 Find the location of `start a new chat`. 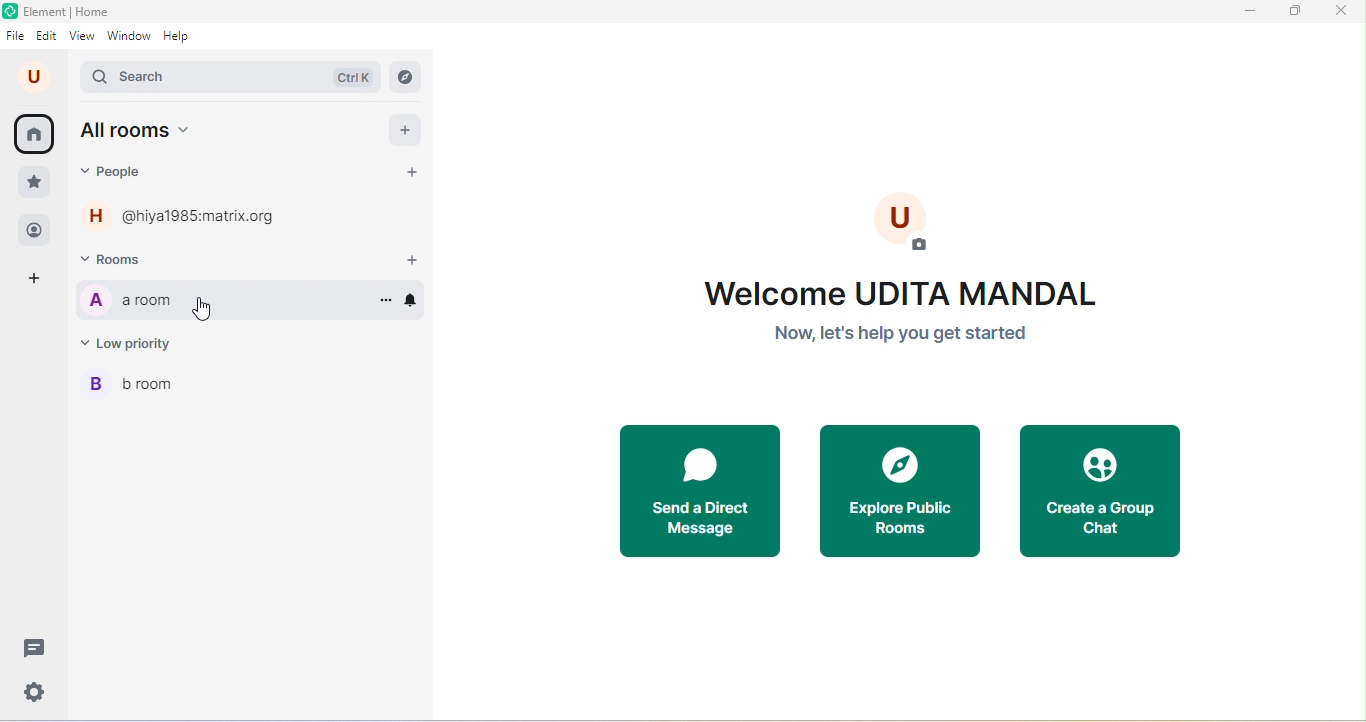

start a new chat is located at coordinates (410, 171).